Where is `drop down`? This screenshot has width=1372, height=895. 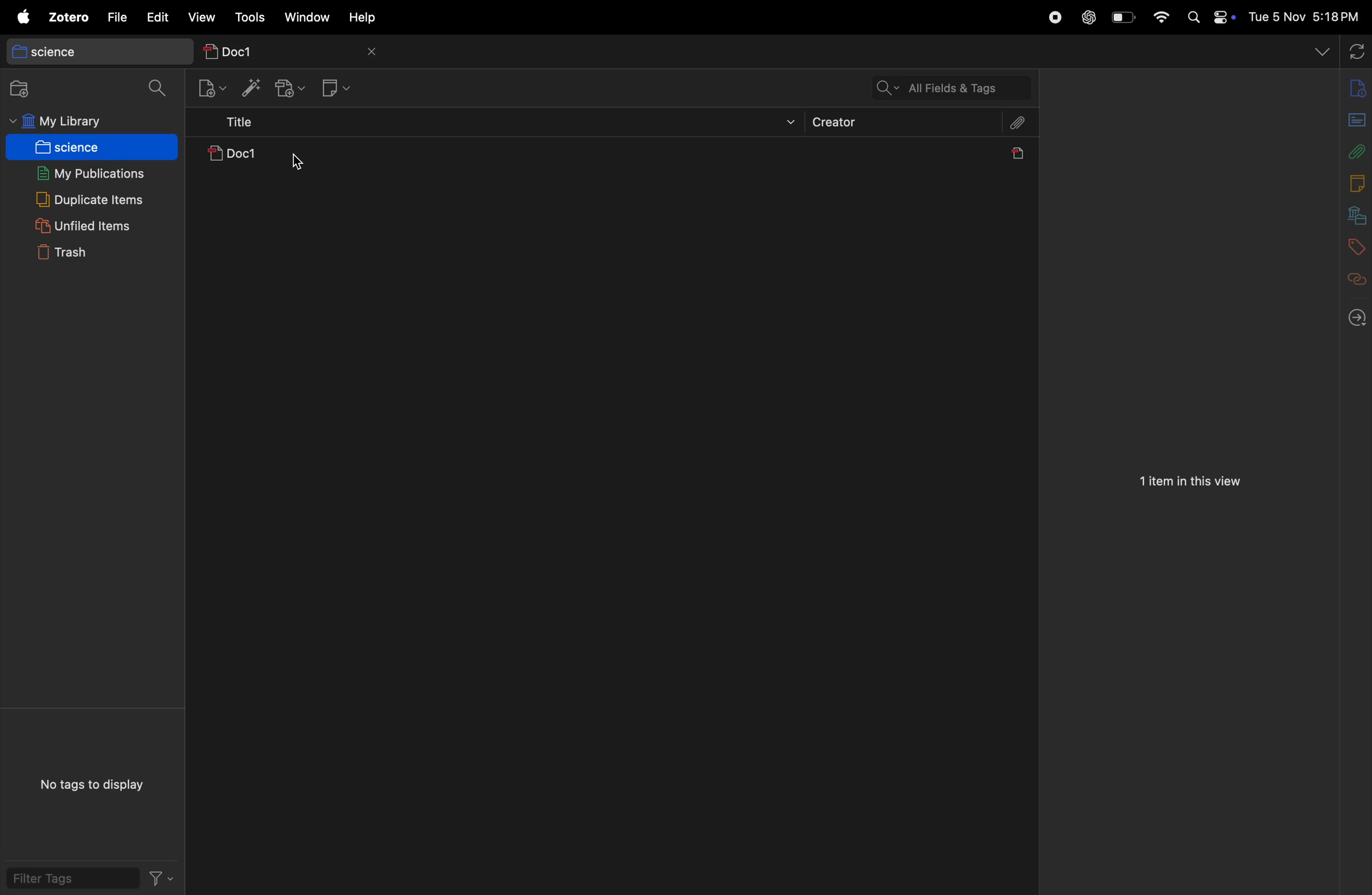 drop down is located at coordinates (1321, 50).